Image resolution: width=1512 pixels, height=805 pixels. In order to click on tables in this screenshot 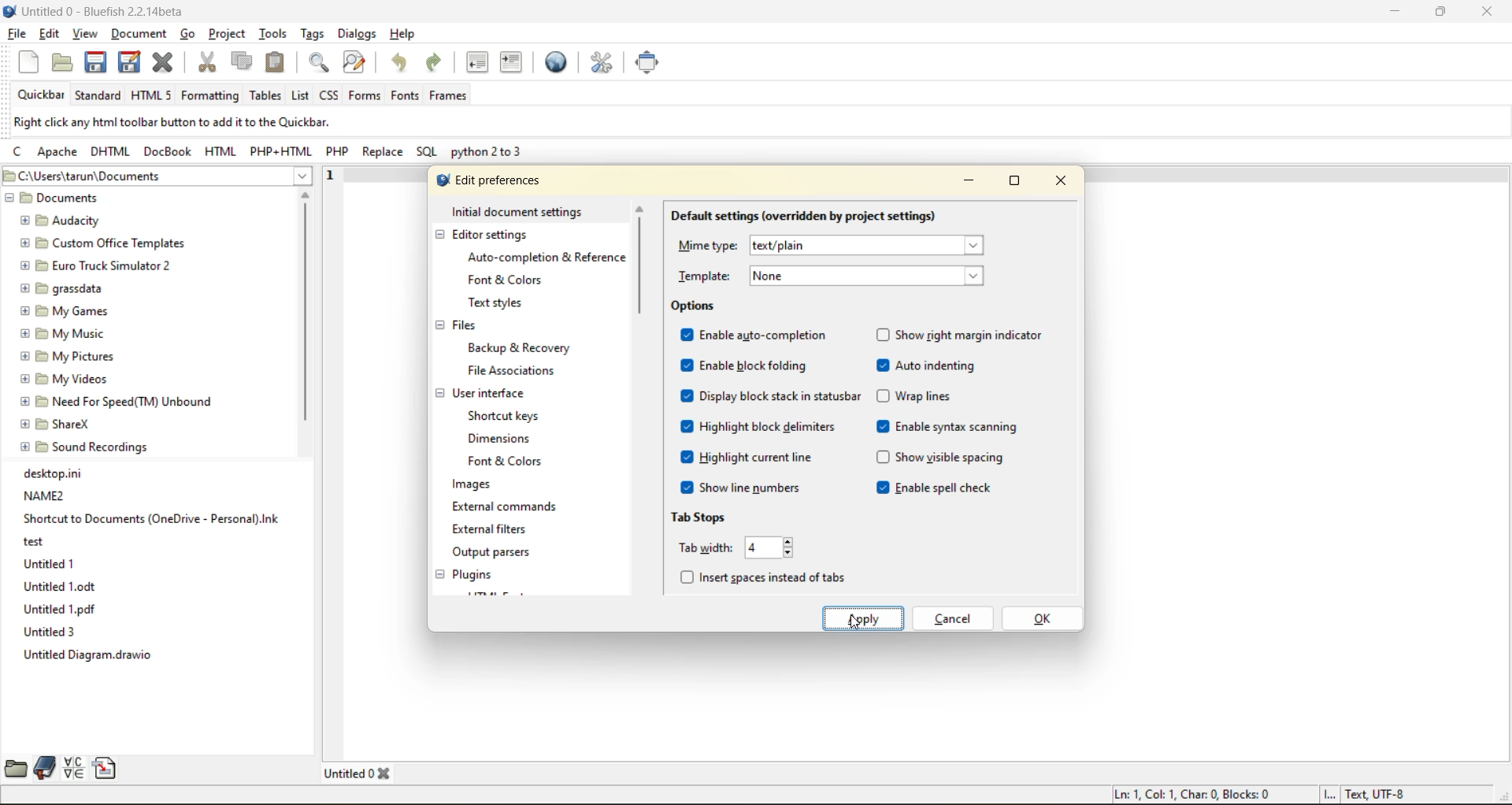, I will do `click(265, 97)`.